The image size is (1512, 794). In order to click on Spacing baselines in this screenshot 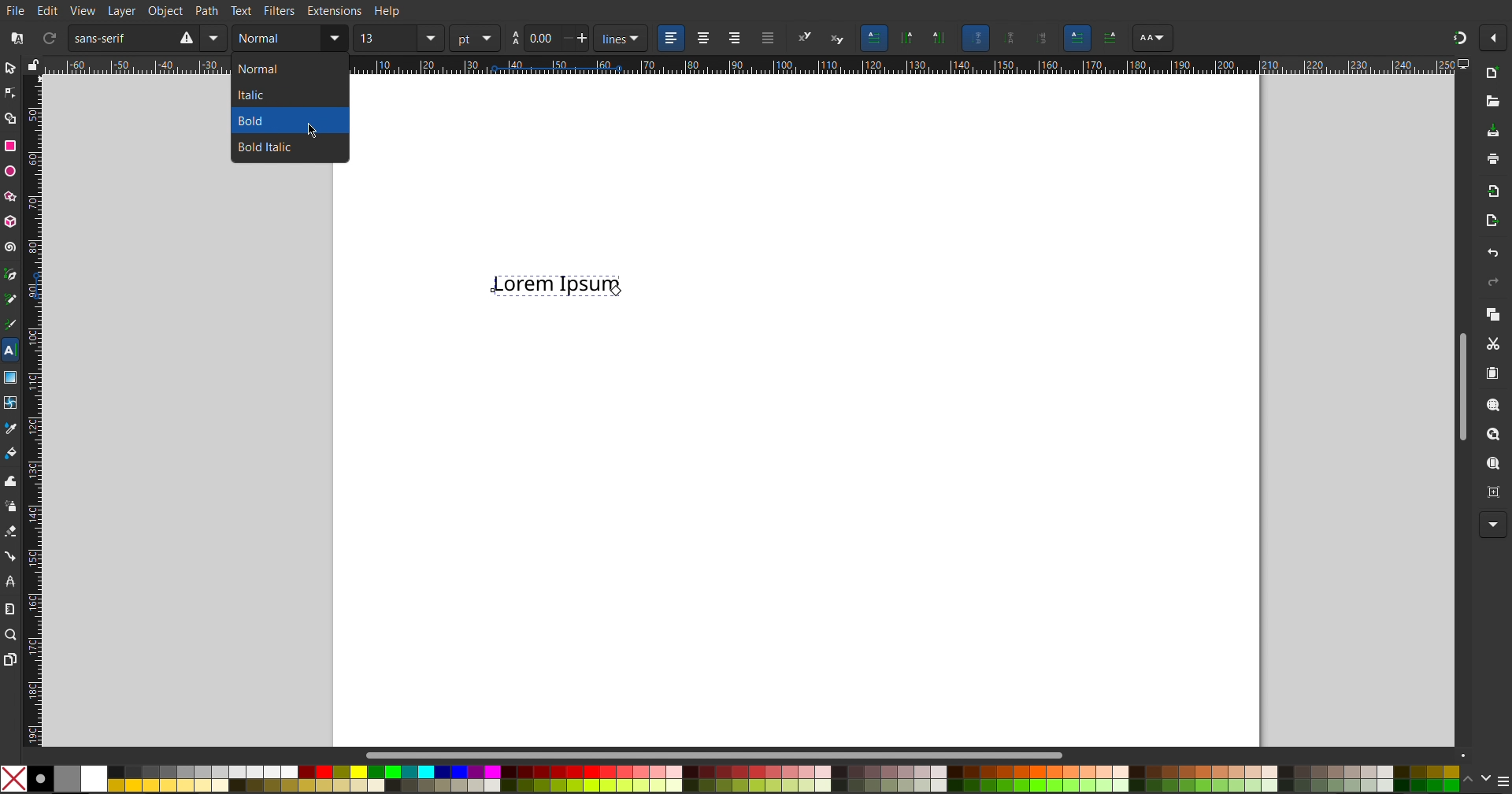, I will do `click(550, 39)`.